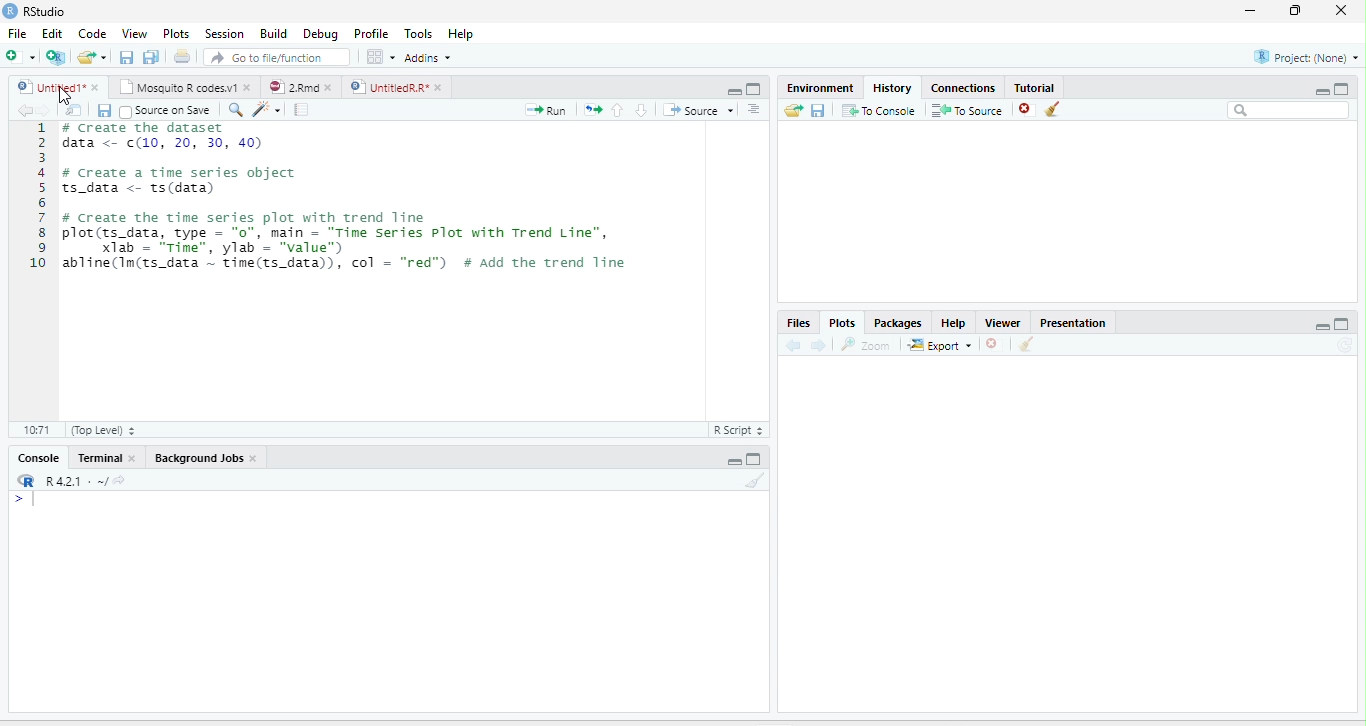 The width and height of the screenshot is (1366, 726). Describe the element at coordinates (964, 86) in the screenshot. I see `Connections` at that location.